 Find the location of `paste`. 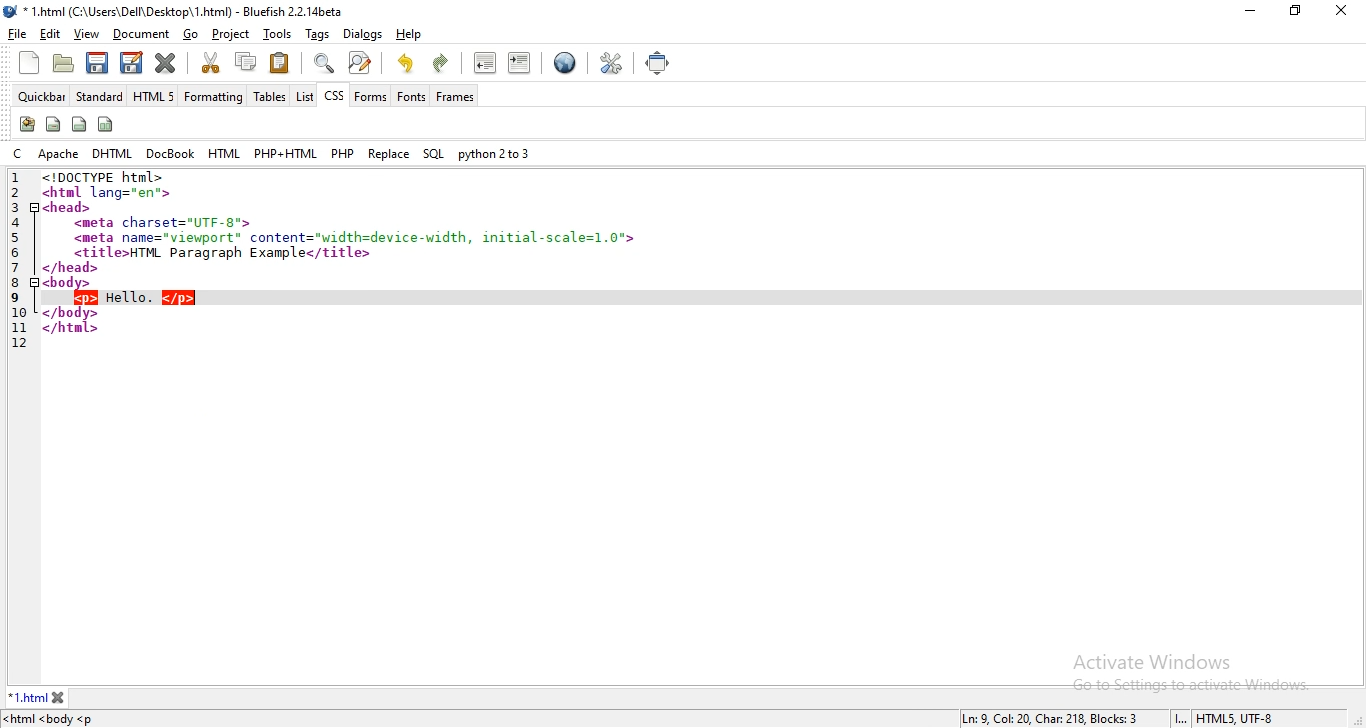

paste is located at coordinates (280, 63).